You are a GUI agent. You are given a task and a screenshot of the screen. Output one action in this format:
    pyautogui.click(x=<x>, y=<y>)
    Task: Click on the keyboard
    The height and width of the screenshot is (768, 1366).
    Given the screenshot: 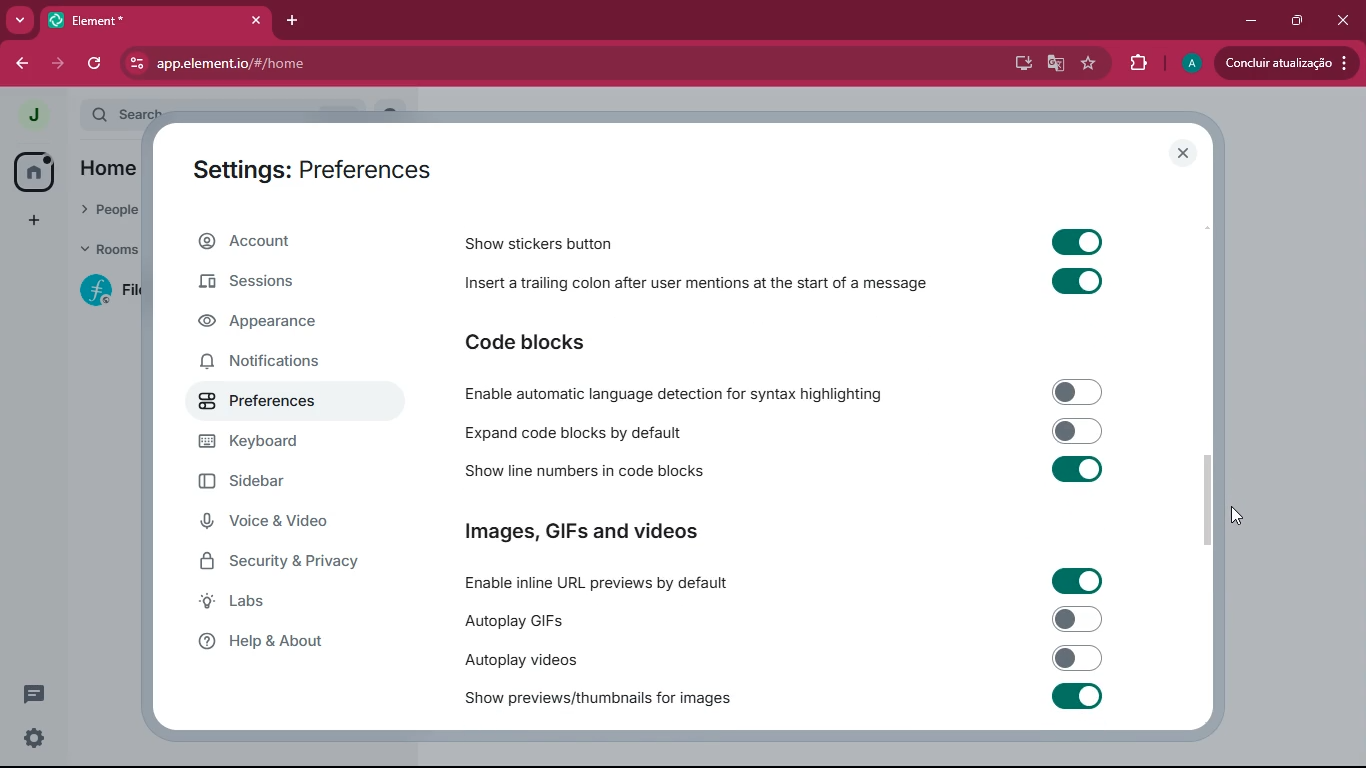 What is the action you would take?
    pyautogui.click(x=289, y=443)
    